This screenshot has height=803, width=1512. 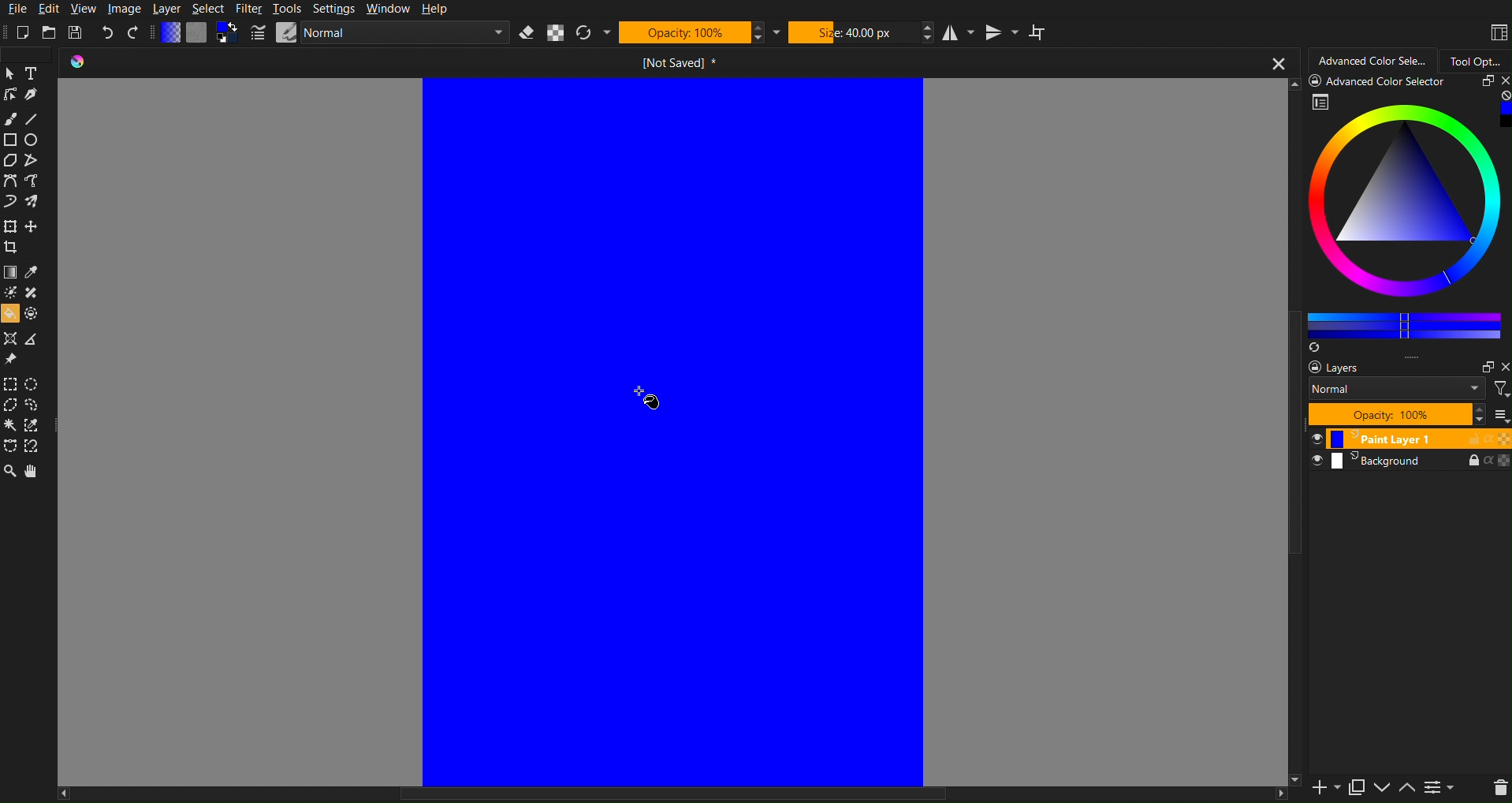 I want to click on opacity, so click(x=1503, y=439).